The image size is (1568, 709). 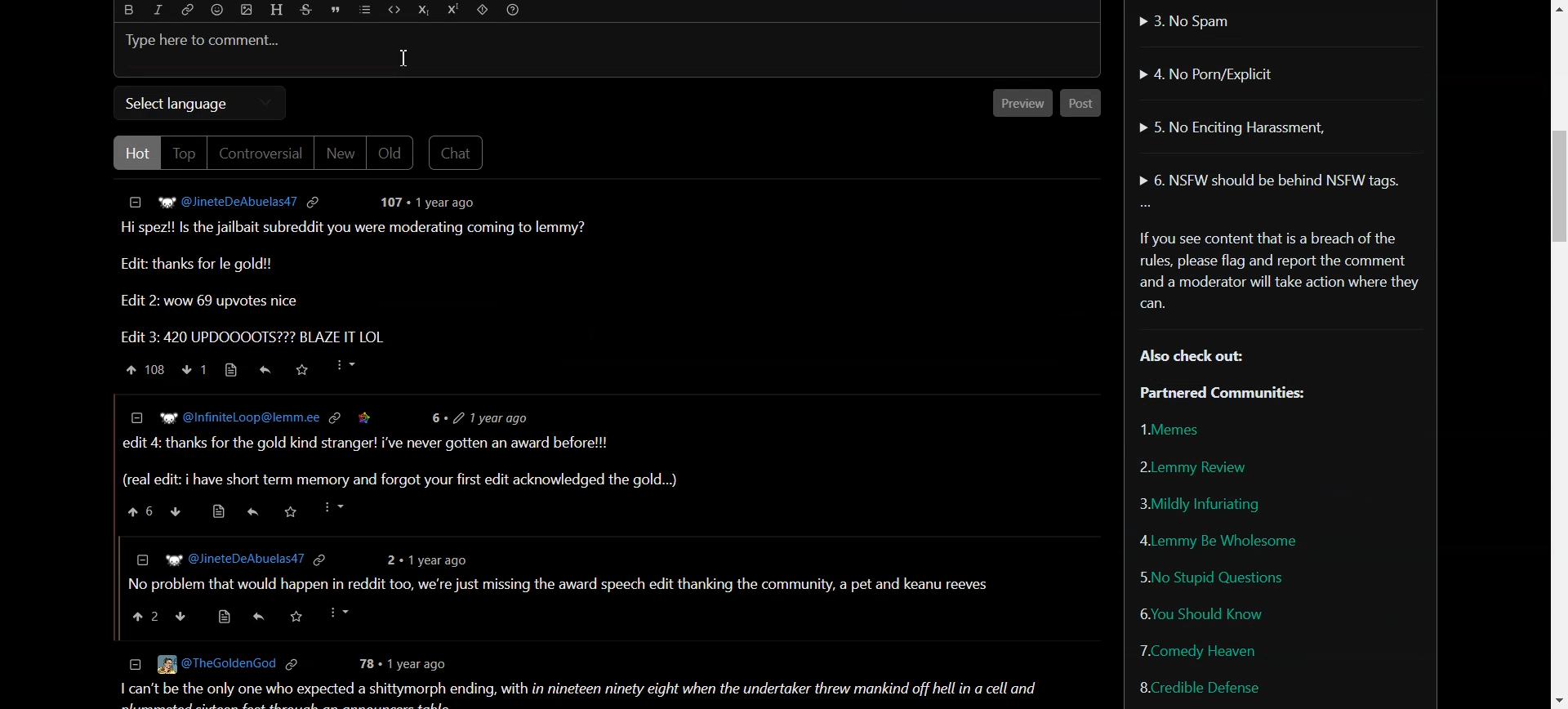 What do you see at coordinates (244, 560) in the screenshot?
I see `] WP @JineteDeAbuelas47` at bounding box center [244, 560].